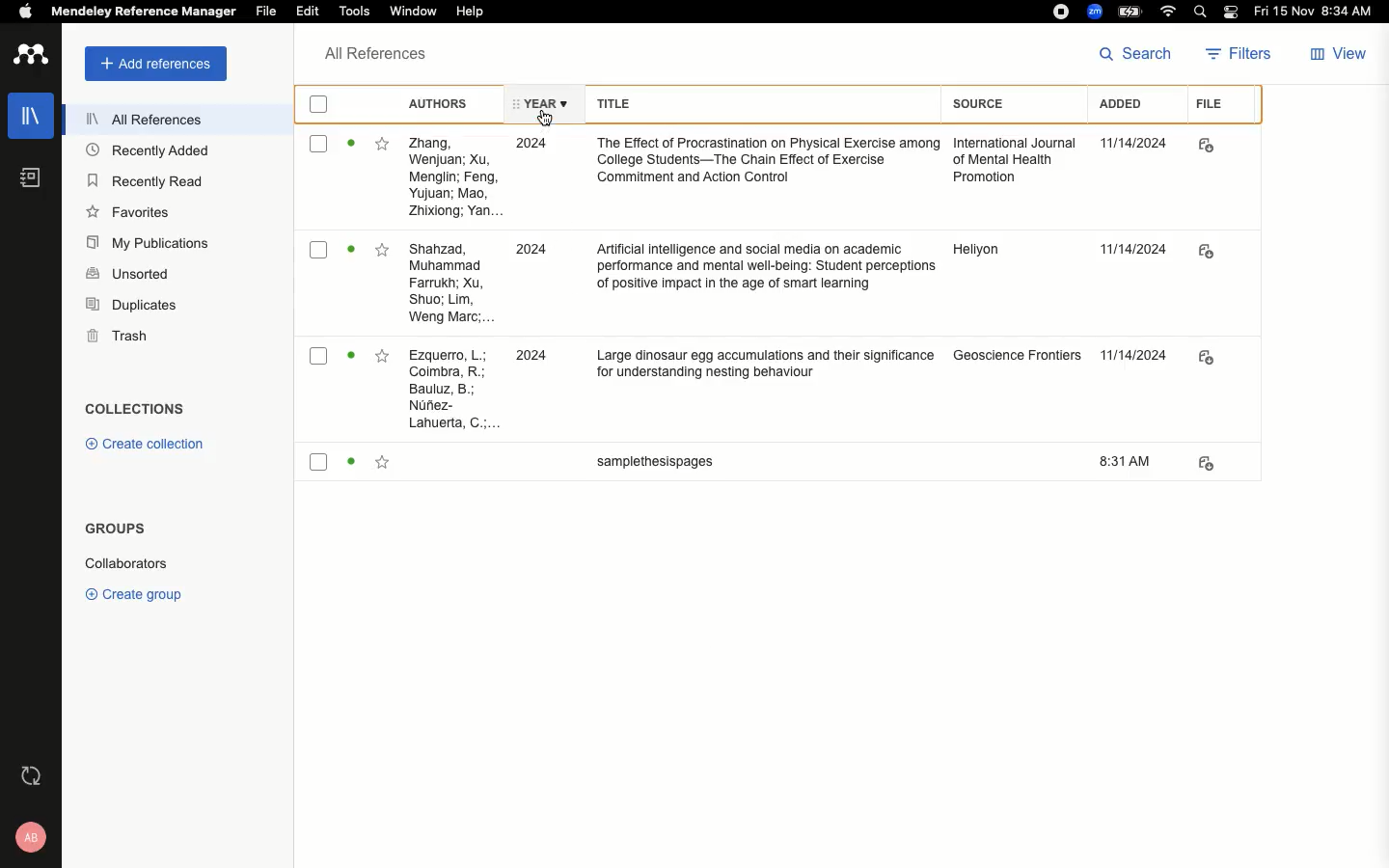 Image resolution: width=1389 pixels, height=868 pixels. I want to click on file type, so click(1219, 463).